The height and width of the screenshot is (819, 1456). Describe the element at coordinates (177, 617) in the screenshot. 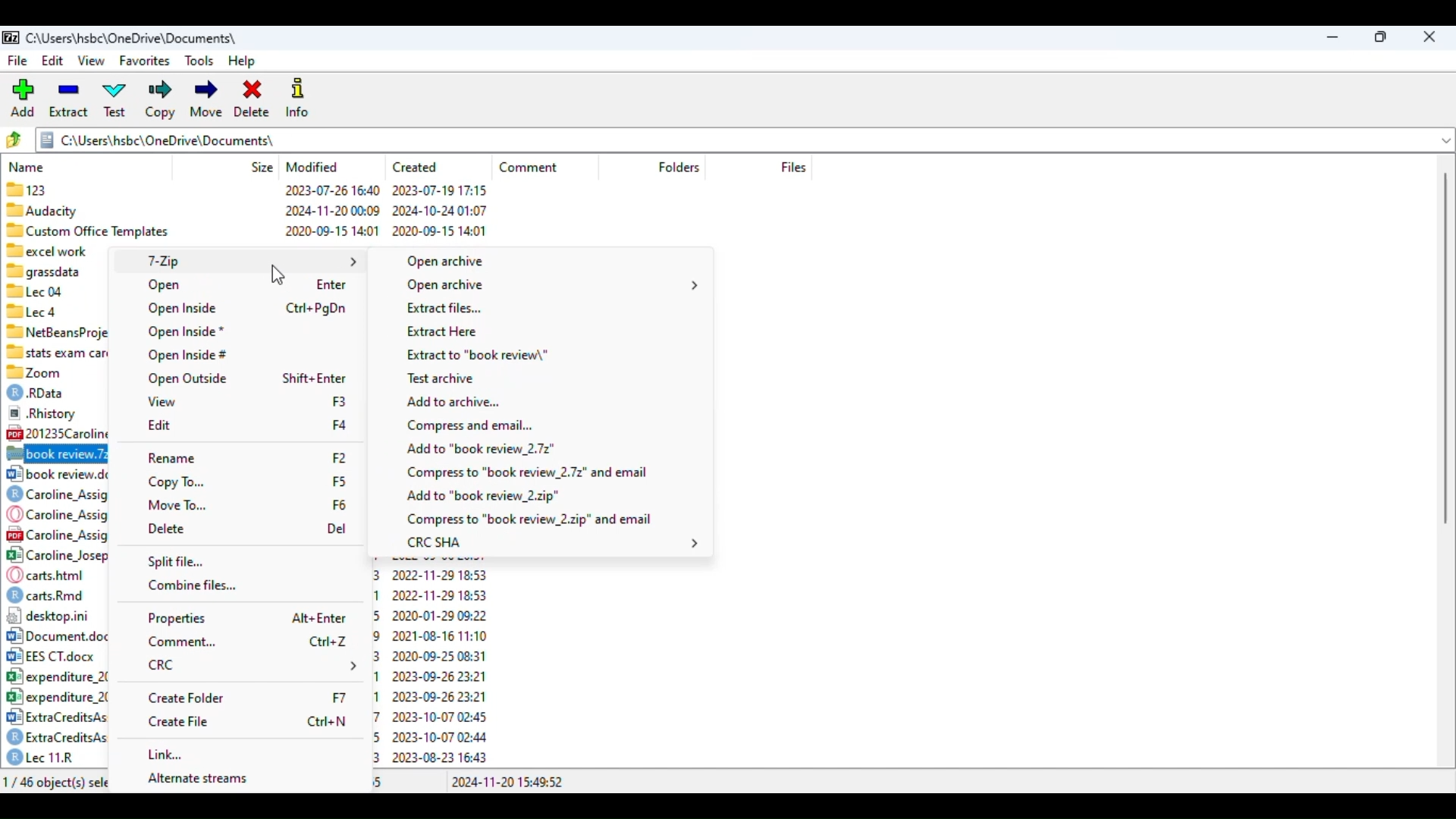

I see `properties` at that location.